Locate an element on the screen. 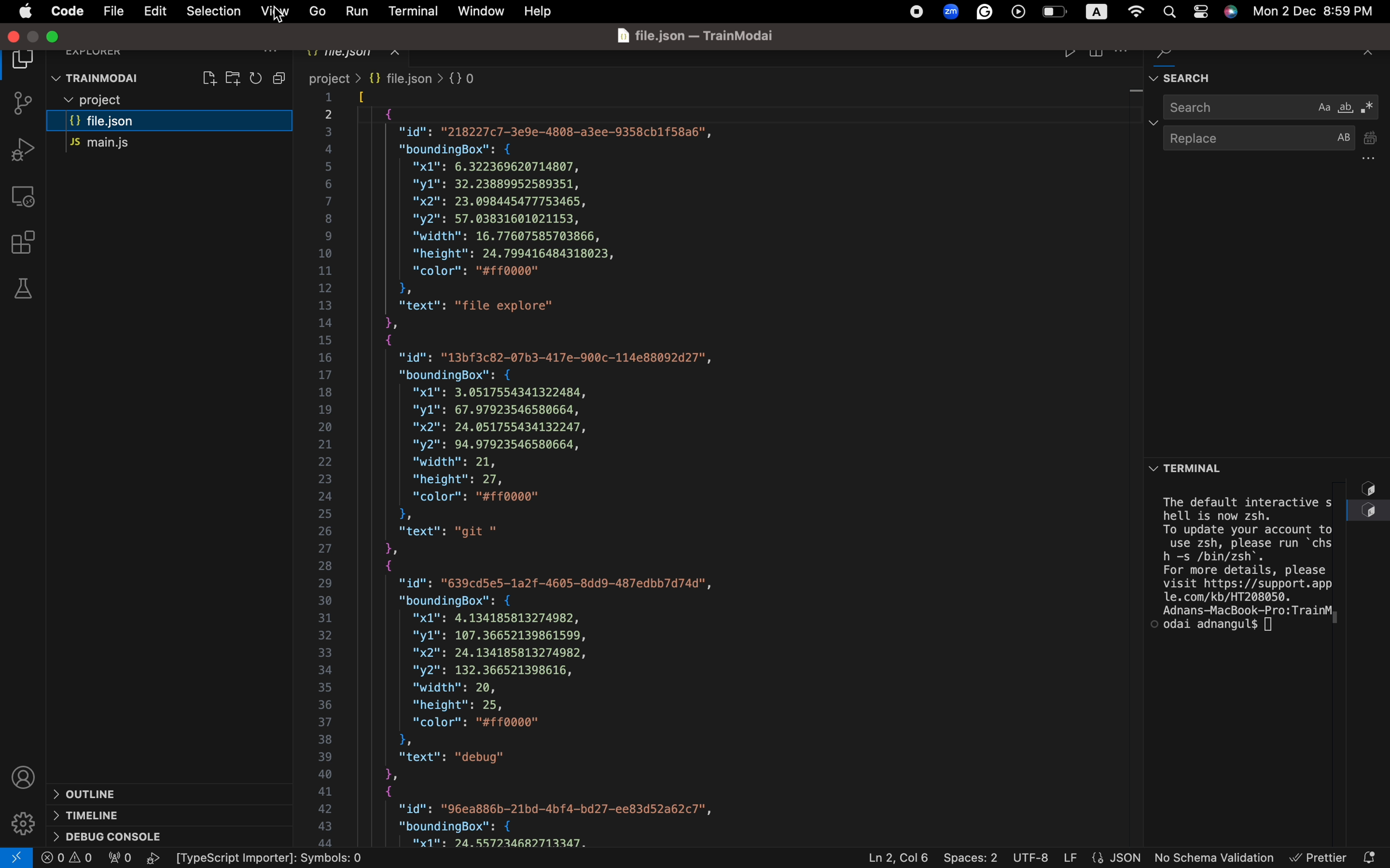  Settings is located at coordinates (22, 824).